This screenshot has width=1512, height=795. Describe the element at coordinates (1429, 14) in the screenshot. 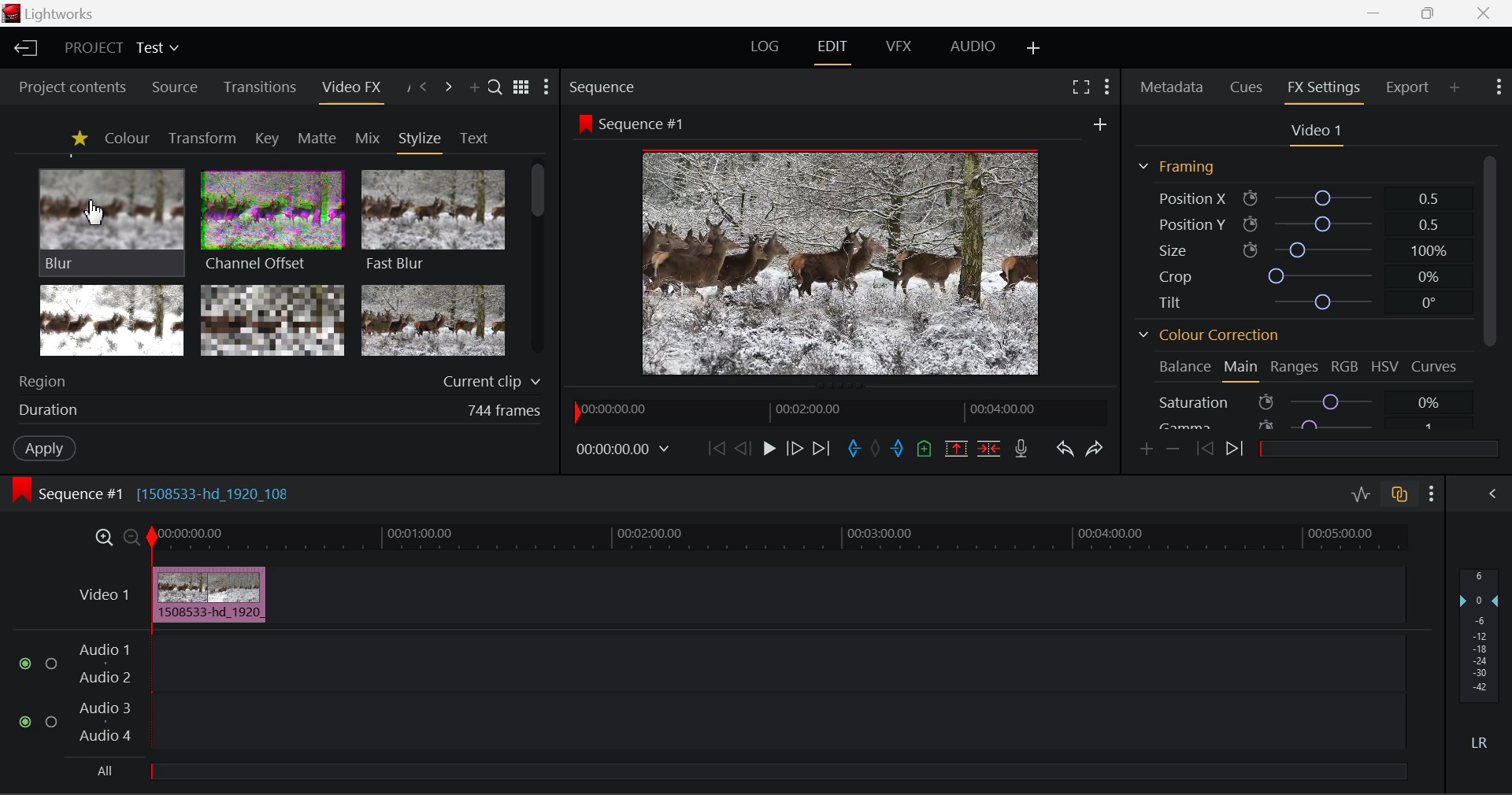

I see `Minimize` at that location.